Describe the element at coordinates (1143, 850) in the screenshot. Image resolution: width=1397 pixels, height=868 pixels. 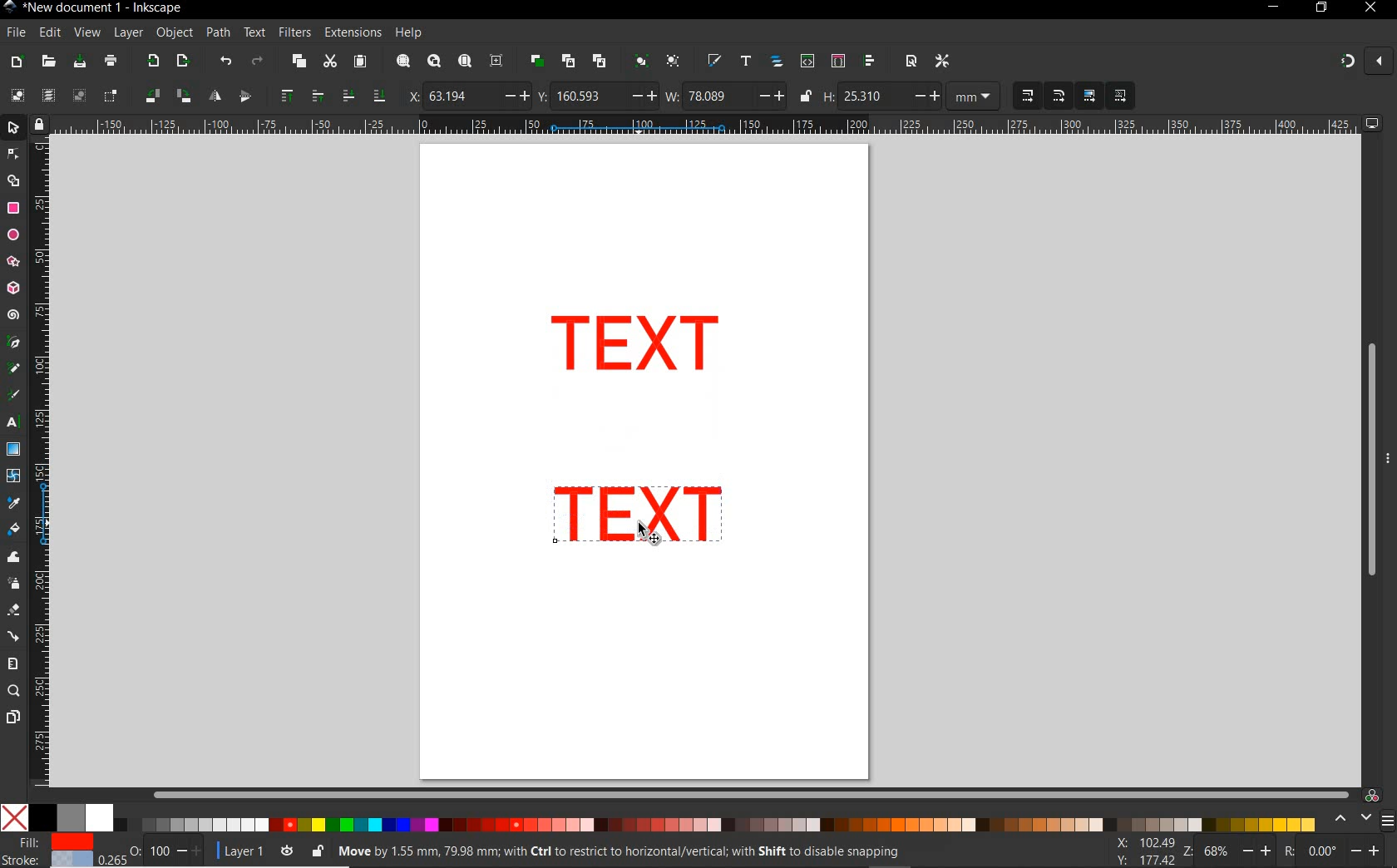
I see `cursor coordintes` at that location.